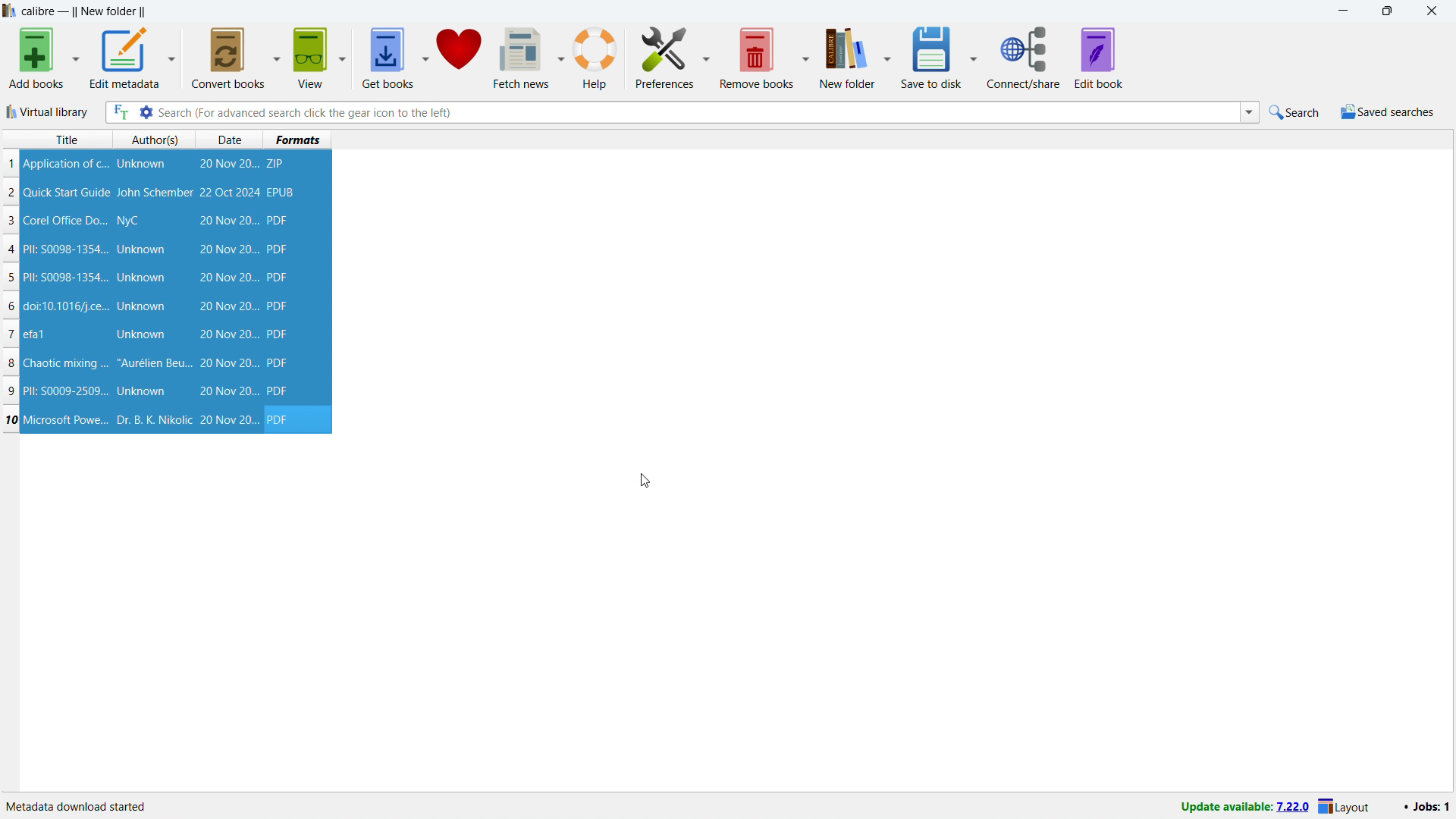 Image resolution: width=1456 pixels, height=819 pixels. Describe the element at coordinates (142, 335) in the screenshot. I see `Unknown` at that location.